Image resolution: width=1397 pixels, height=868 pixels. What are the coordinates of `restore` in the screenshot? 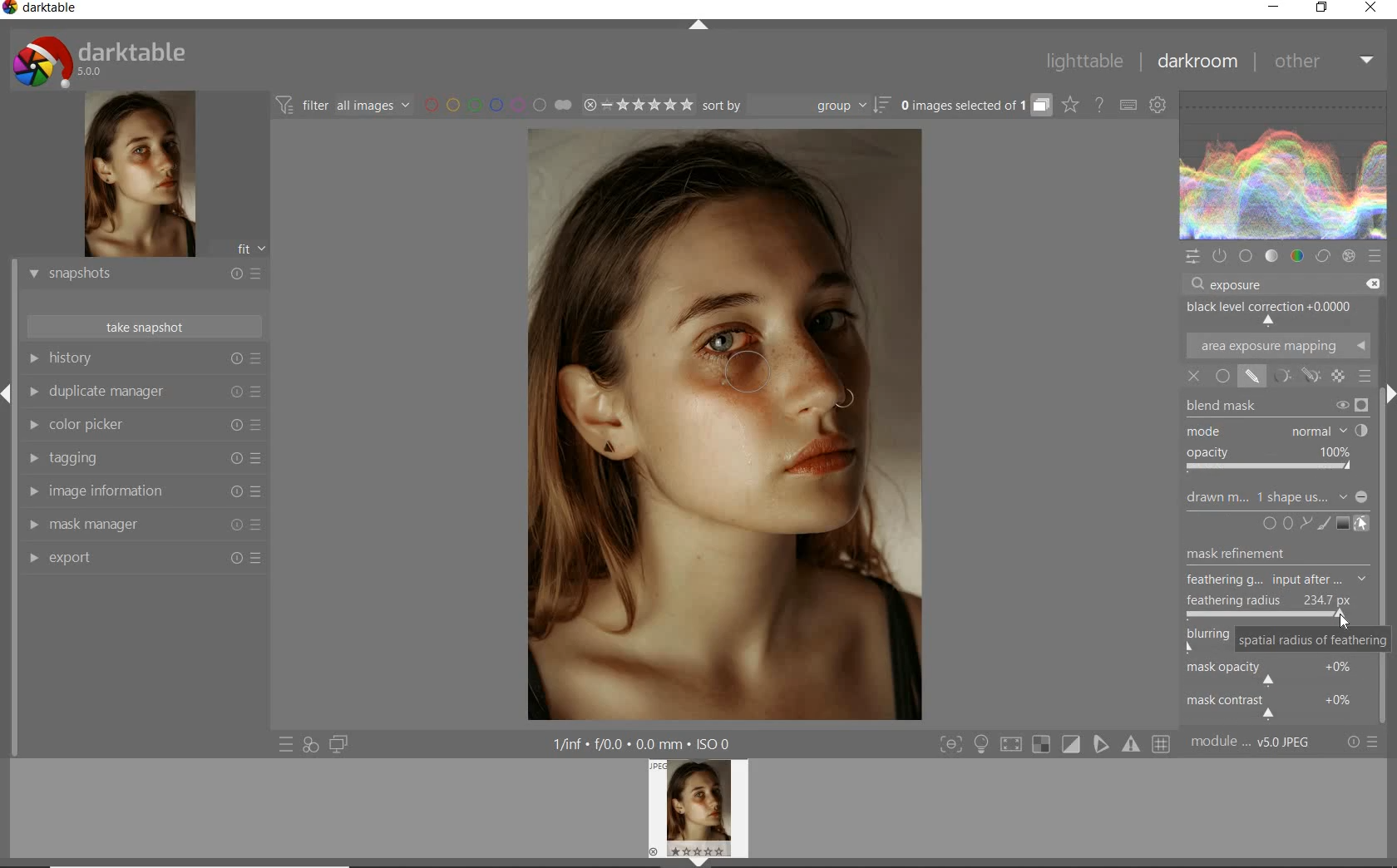 It's located at (1322, 11).